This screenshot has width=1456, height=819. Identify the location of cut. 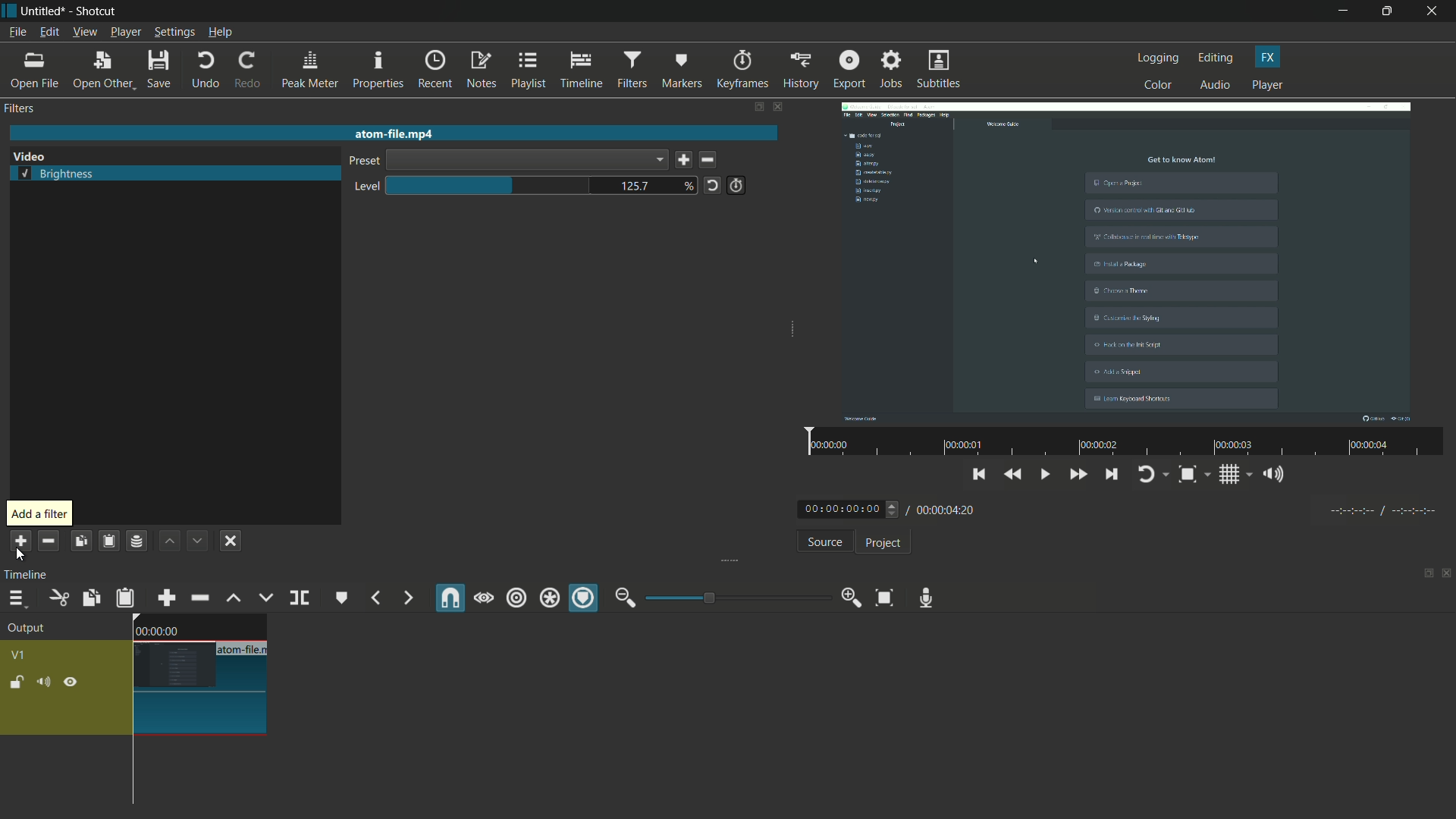
(58, 598).